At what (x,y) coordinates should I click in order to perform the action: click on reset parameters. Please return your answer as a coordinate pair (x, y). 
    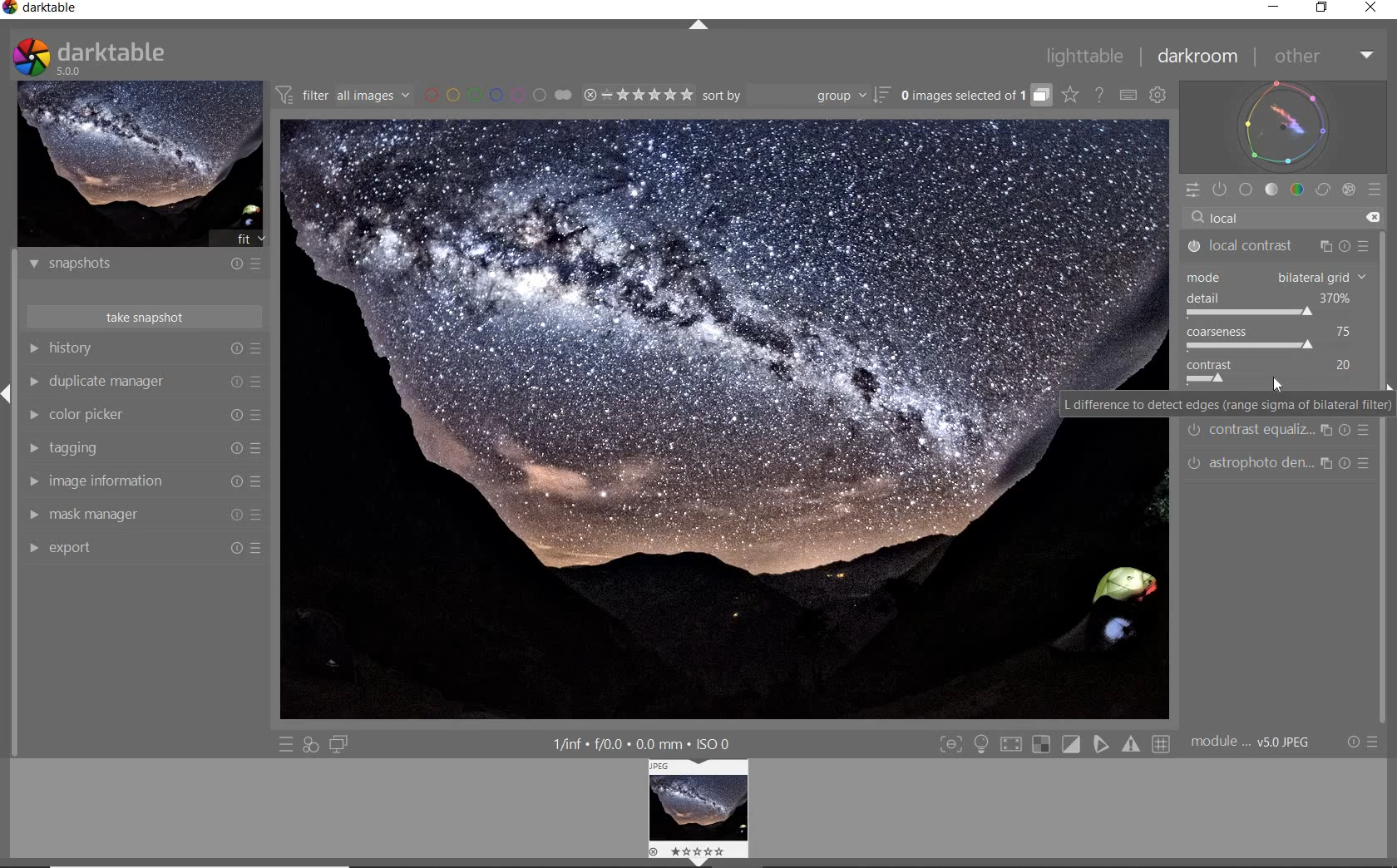
    Looking at the image, I should click on (1346, 430).